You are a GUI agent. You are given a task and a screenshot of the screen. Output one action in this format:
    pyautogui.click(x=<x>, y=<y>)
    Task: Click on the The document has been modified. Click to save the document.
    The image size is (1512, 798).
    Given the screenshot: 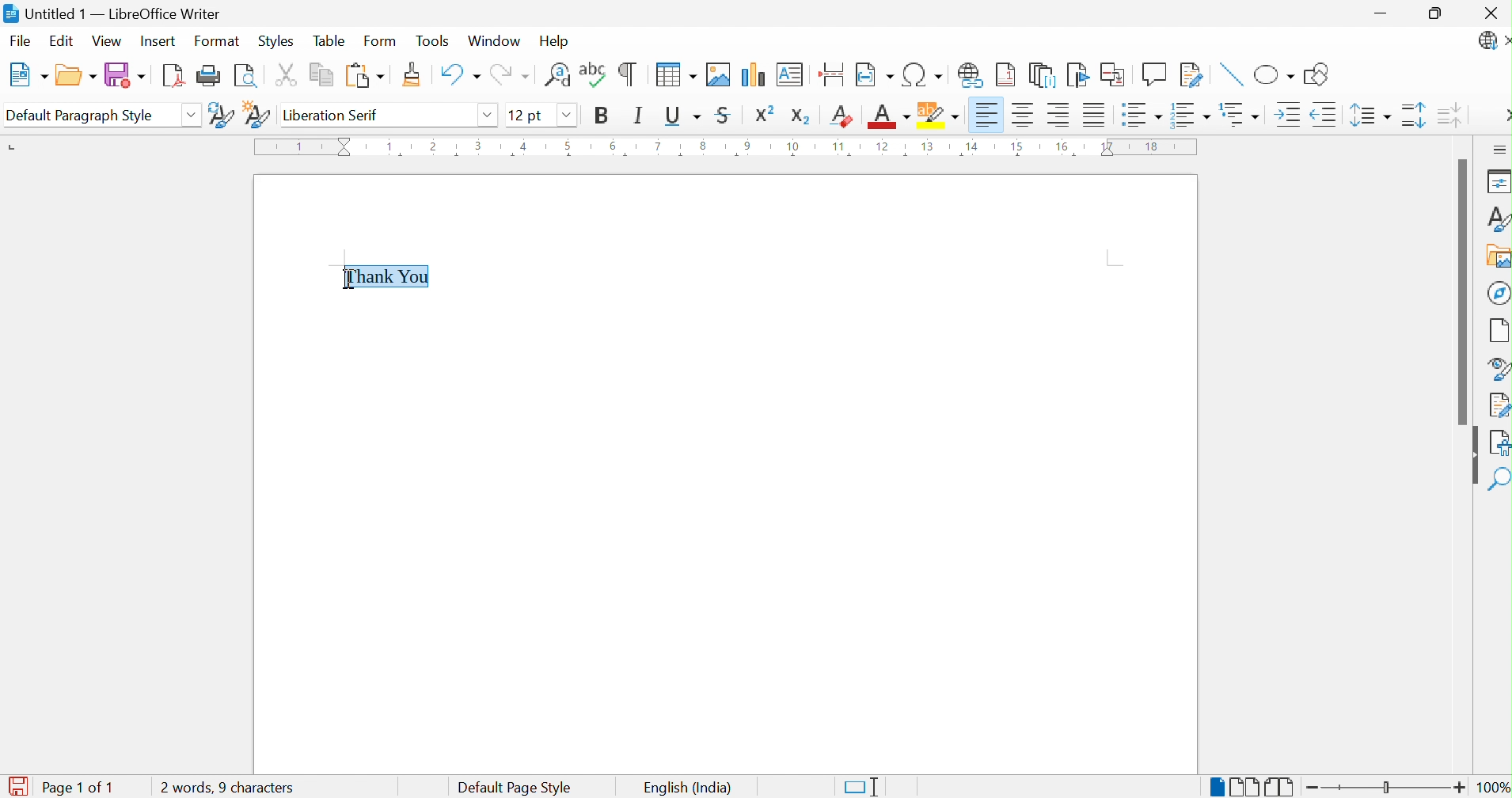 What is the action you would take?
    pyautogui.click(x=17, y=785)
    